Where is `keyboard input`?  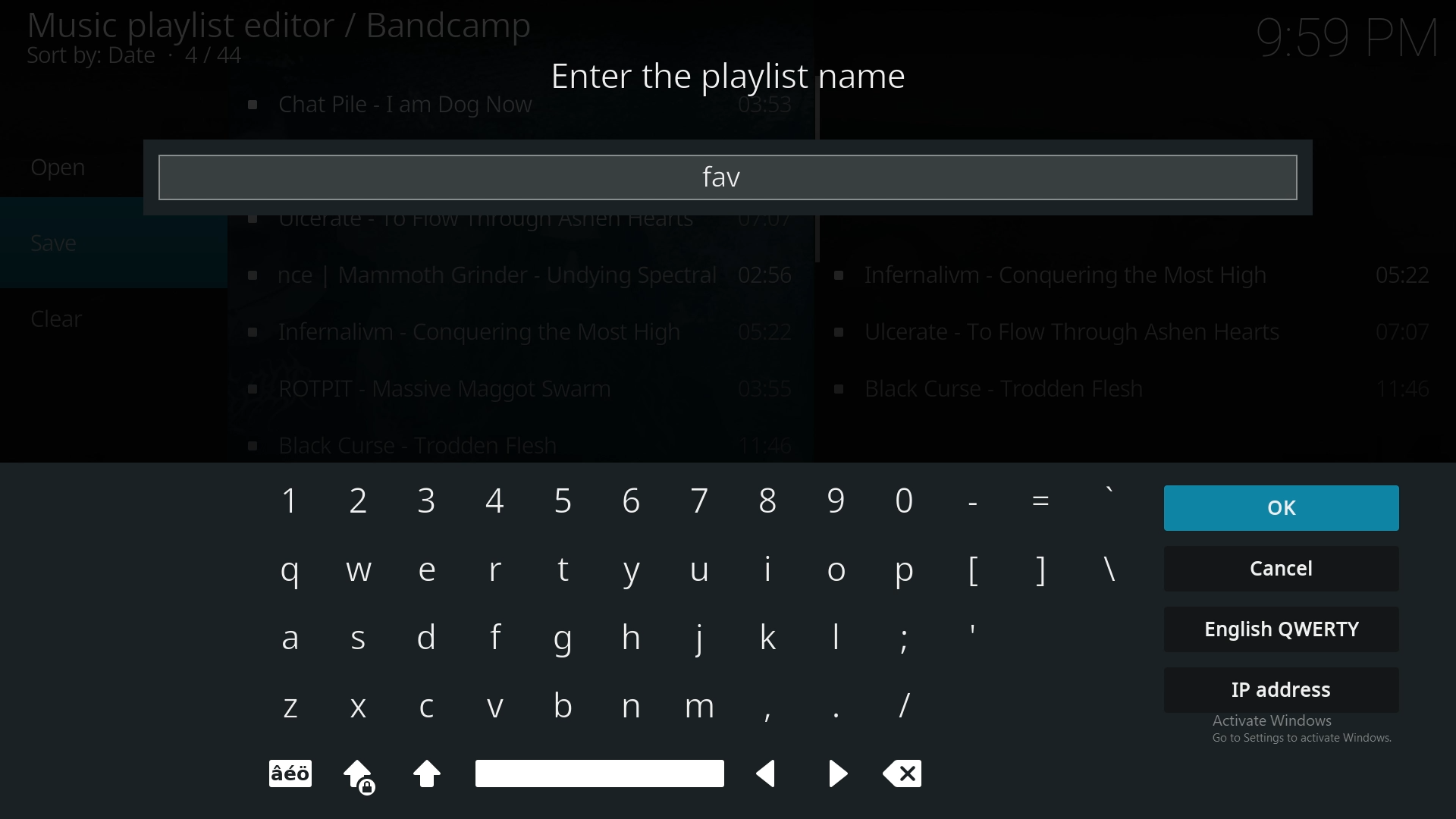 keyboard input is located at coordinates (769, 504).